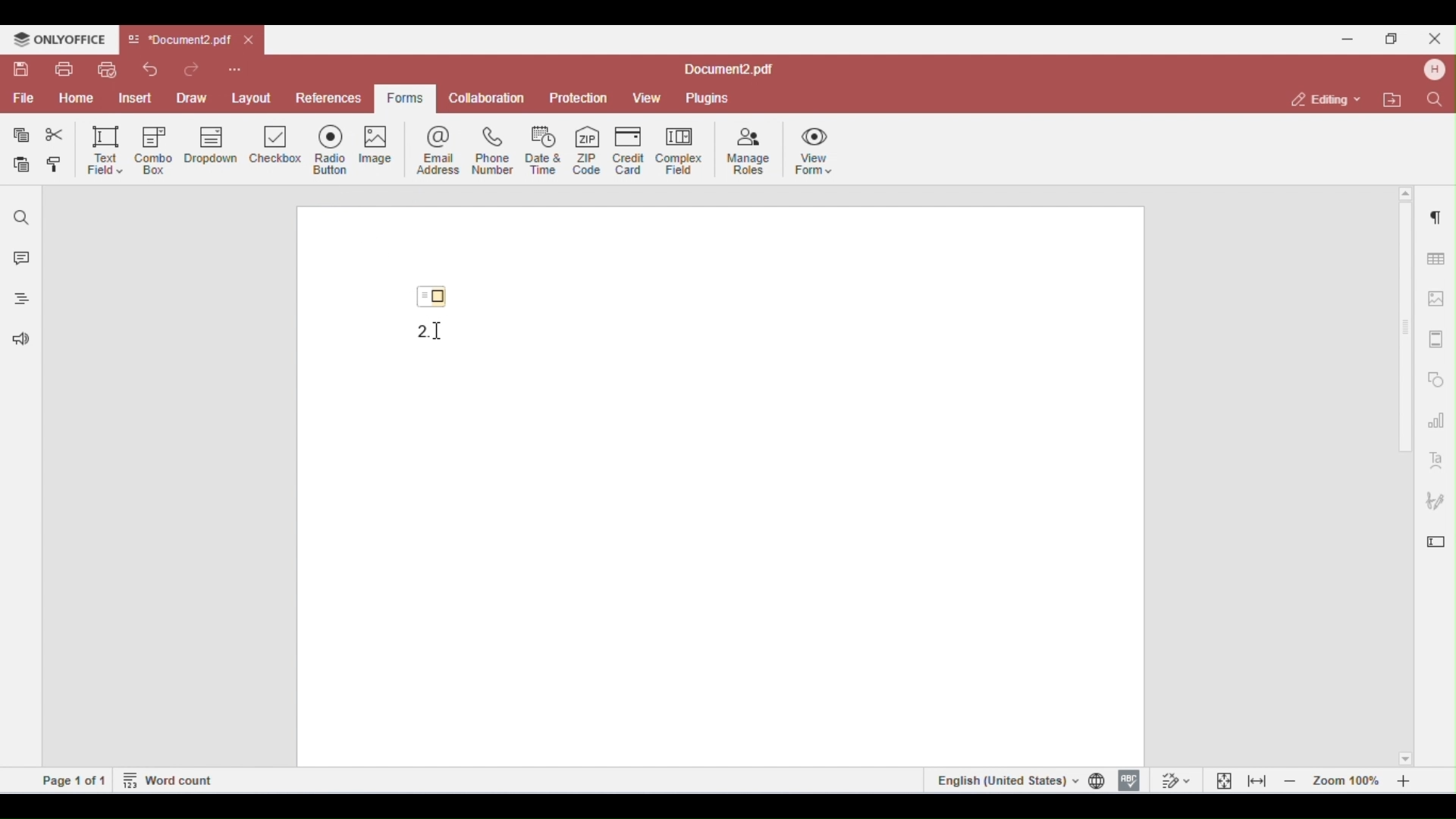 The width and height of the screenshot is (1456, 819). What do you see at coordinates (1435, 339) in the screenshot?
I see `header and footer settings` at bounding box center [1435, 339].